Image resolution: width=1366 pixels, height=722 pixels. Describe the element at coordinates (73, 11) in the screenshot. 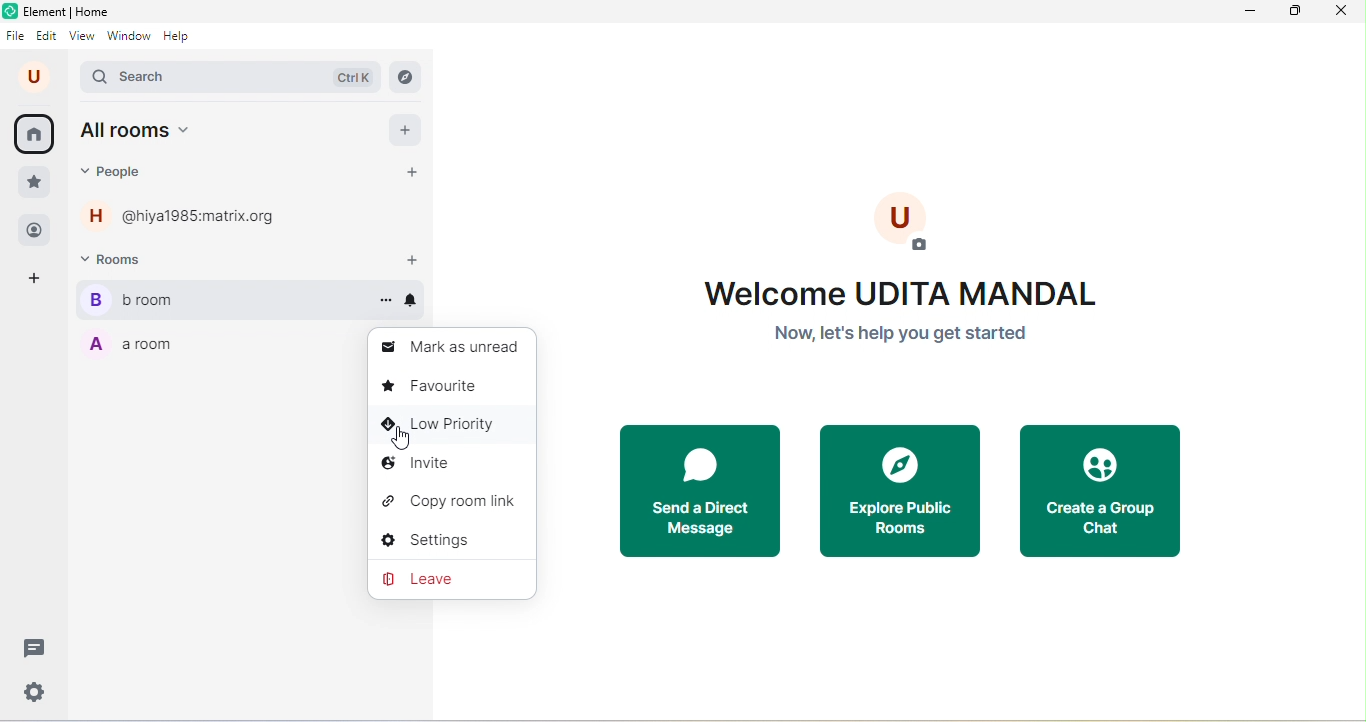

I see `element home` at that location.